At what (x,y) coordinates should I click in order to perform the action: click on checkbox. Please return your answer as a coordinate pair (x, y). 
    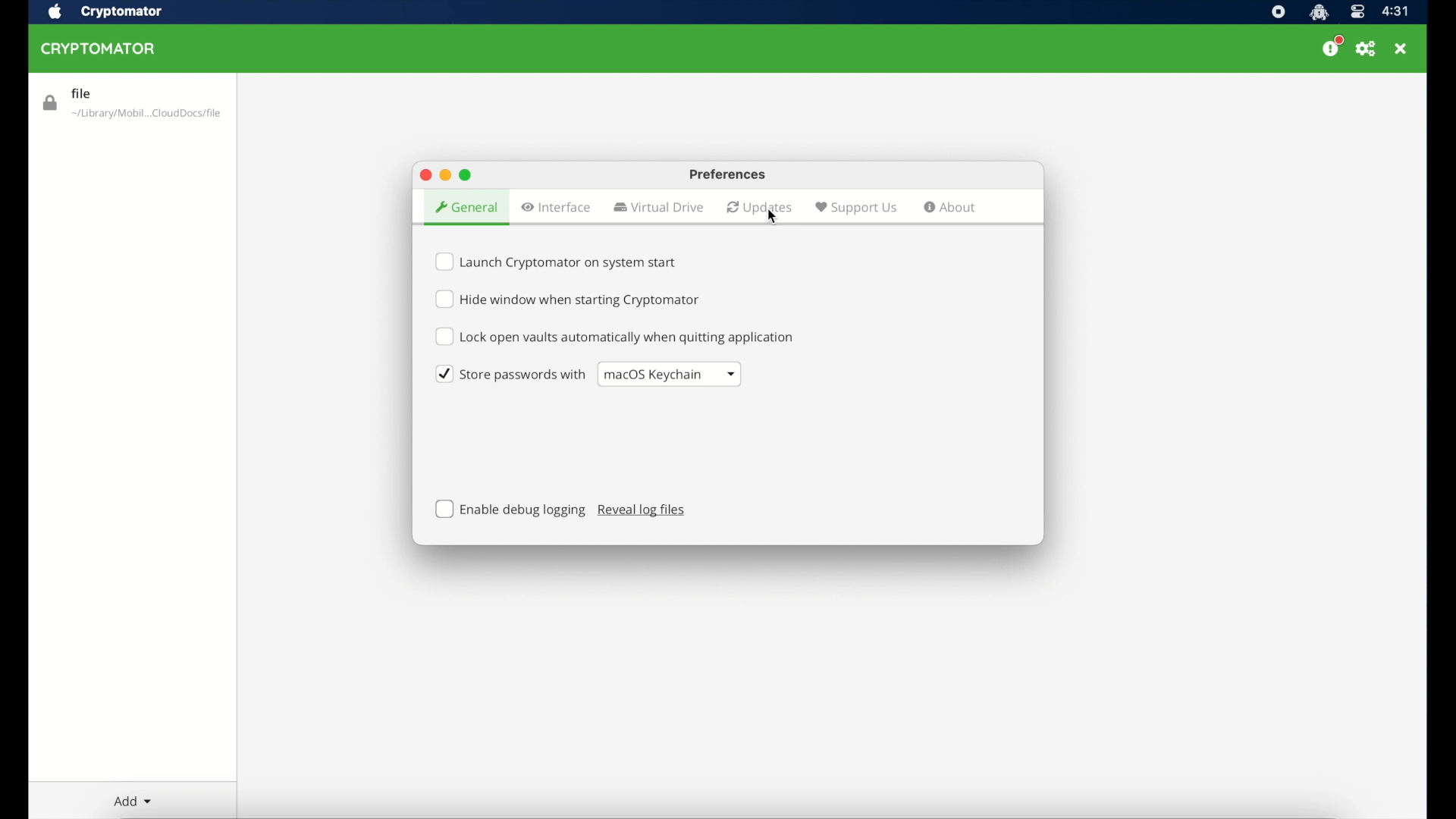
    Looking at the image, I should click on (511, 374).